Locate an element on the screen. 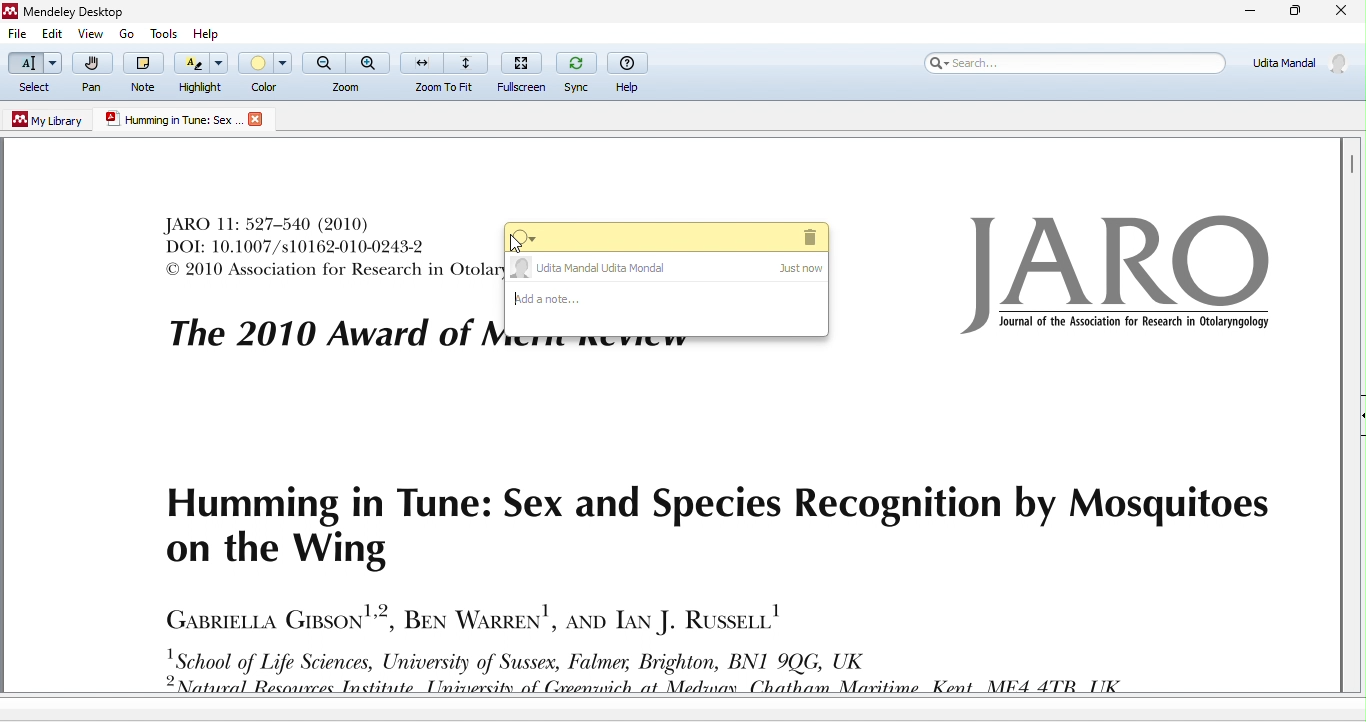 This screenshot has width=1366, height=722. minimize is located at coordinates (1247, 12).